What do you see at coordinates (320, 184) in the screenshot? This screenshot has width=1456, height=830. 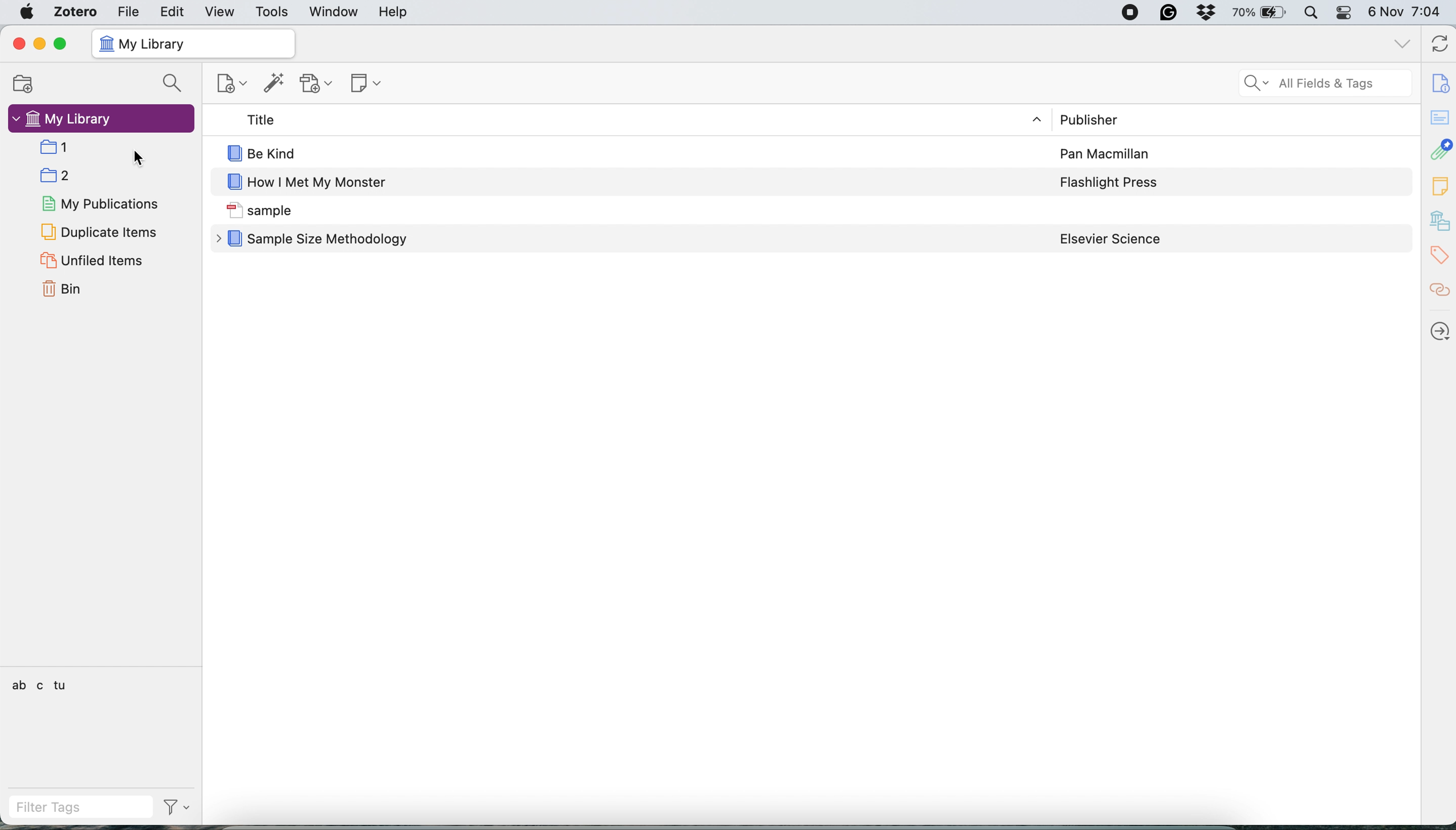 I see `How | Met My Monster` at bounding box center [320, 184].